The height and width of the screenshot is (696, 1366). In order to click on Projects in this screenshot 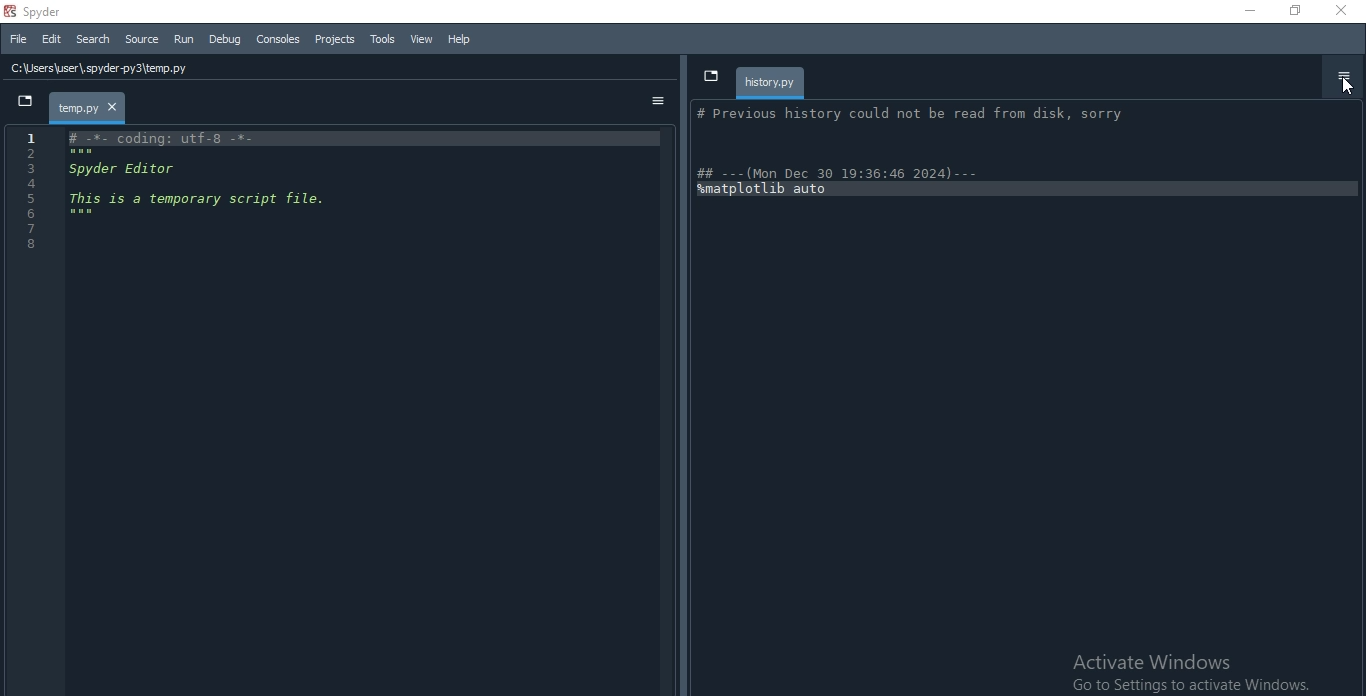, I will do `click(334, 40)`.